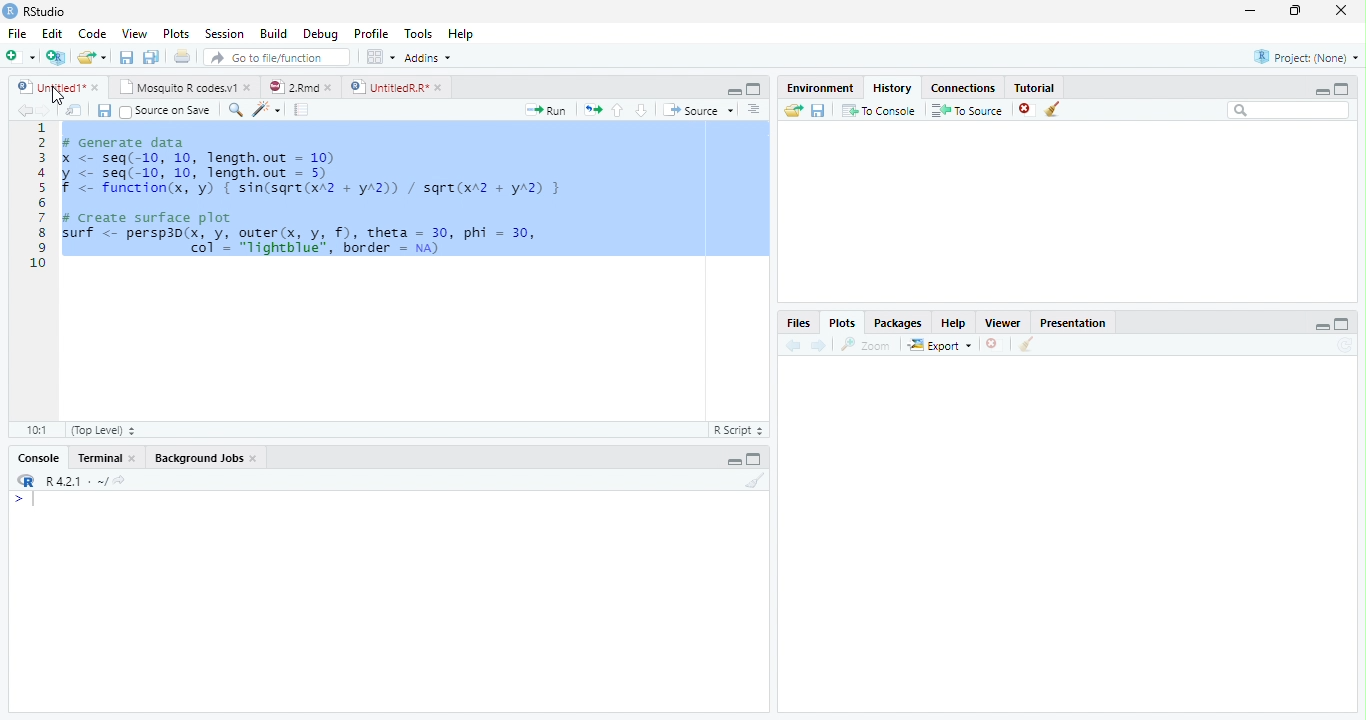  I want to click on Profile, so click(372, 33).